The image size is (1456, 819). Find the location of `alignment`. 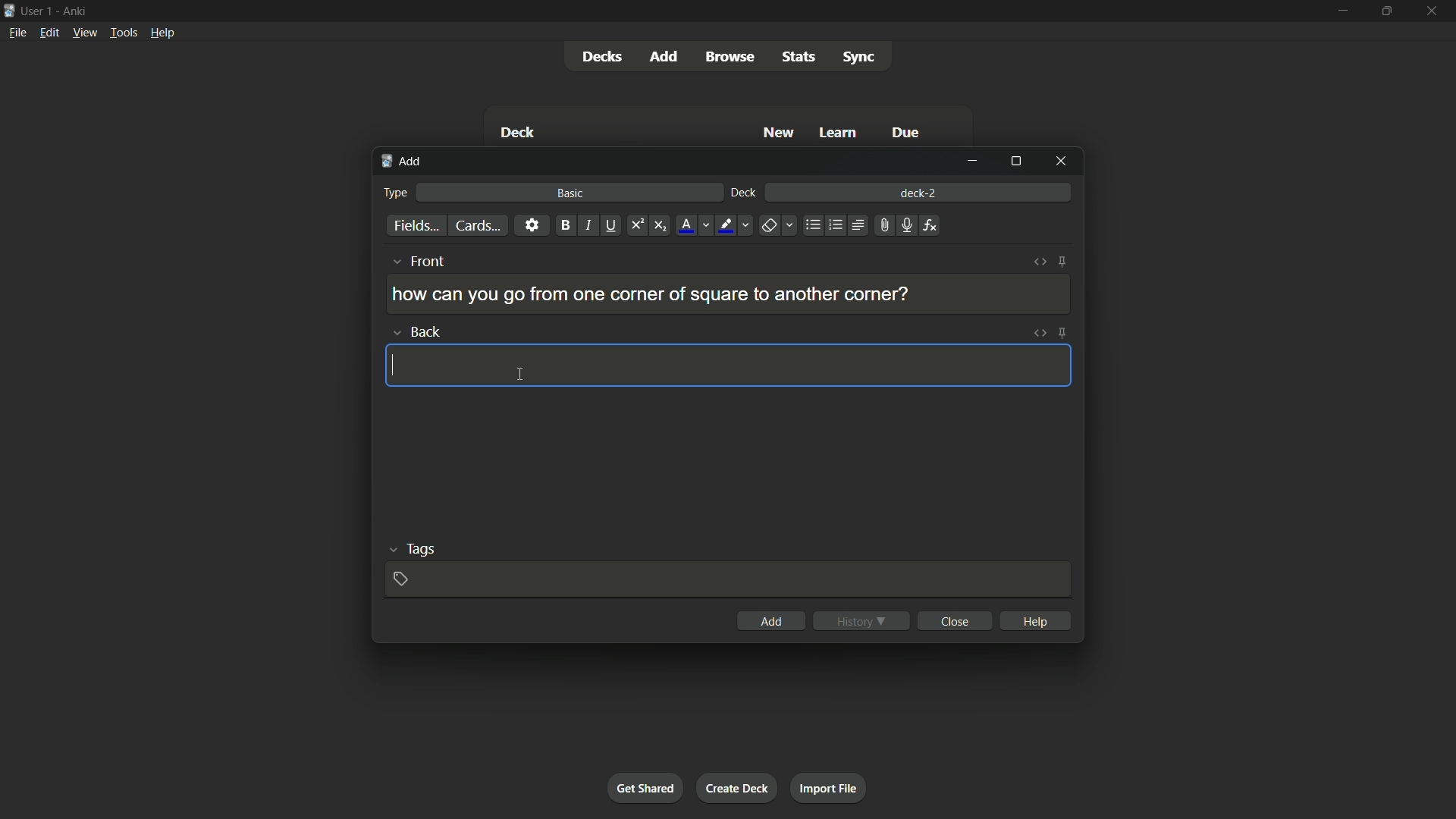

alignment is located at coordinates (859, 224).